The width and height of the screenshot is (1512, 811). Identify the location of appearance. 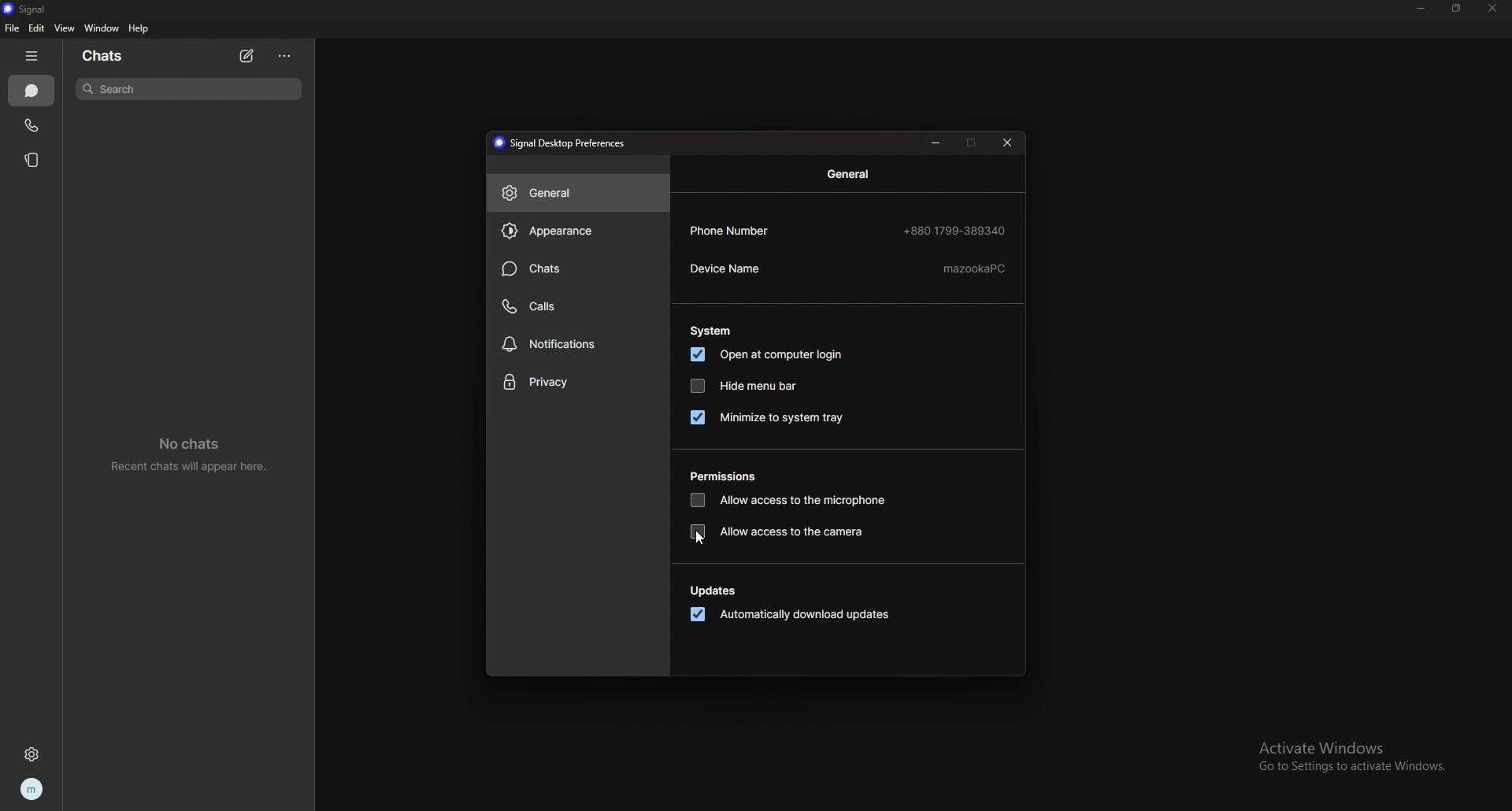
(579, 230).